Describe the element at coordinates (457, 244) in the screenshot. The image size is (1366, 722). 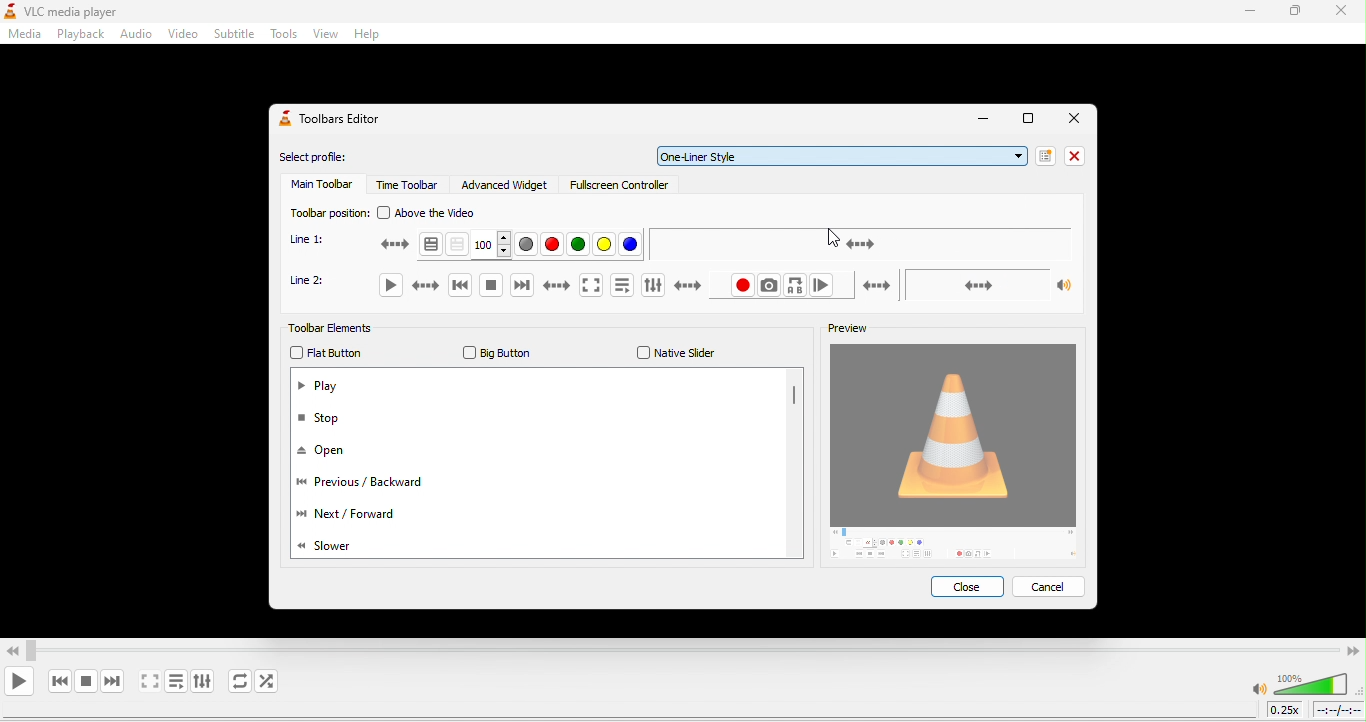
I see `toggle transparency` at that location.